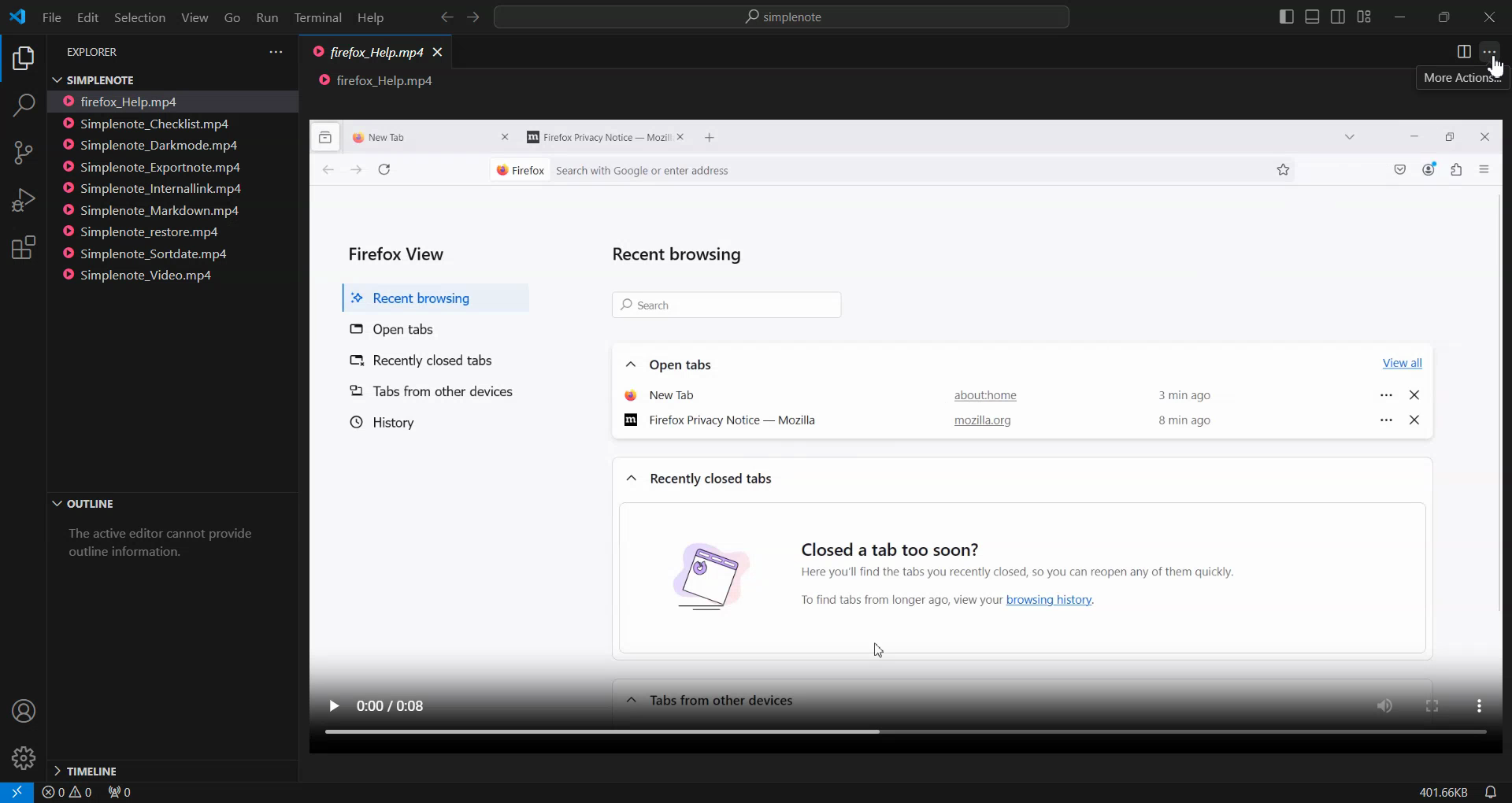 The width and height of the screenshot is (1512, 803). Describe the element at coordinates (1442, 793) in the screenshot. I see `401.66KB` at that location.